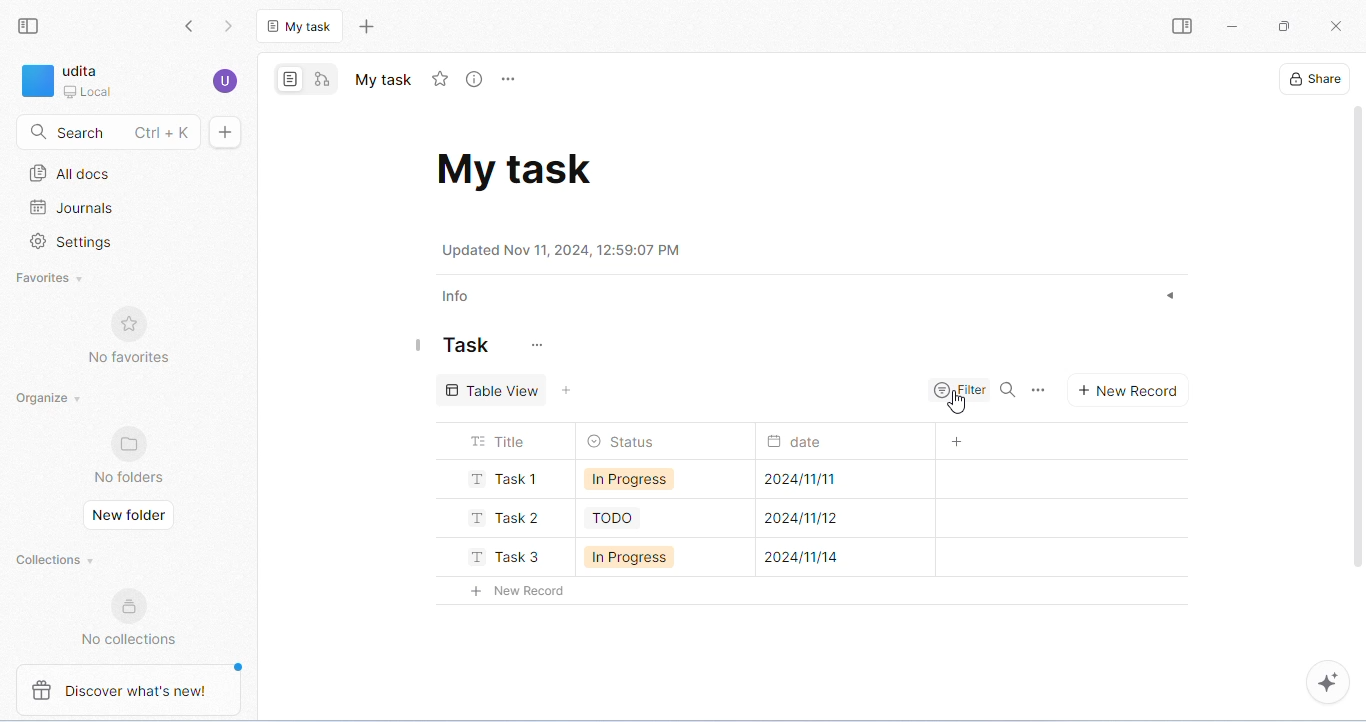  What do you see at coordinates (628, 481) in the screenshot?
I see `in progress` at bounding box center [628, 481].